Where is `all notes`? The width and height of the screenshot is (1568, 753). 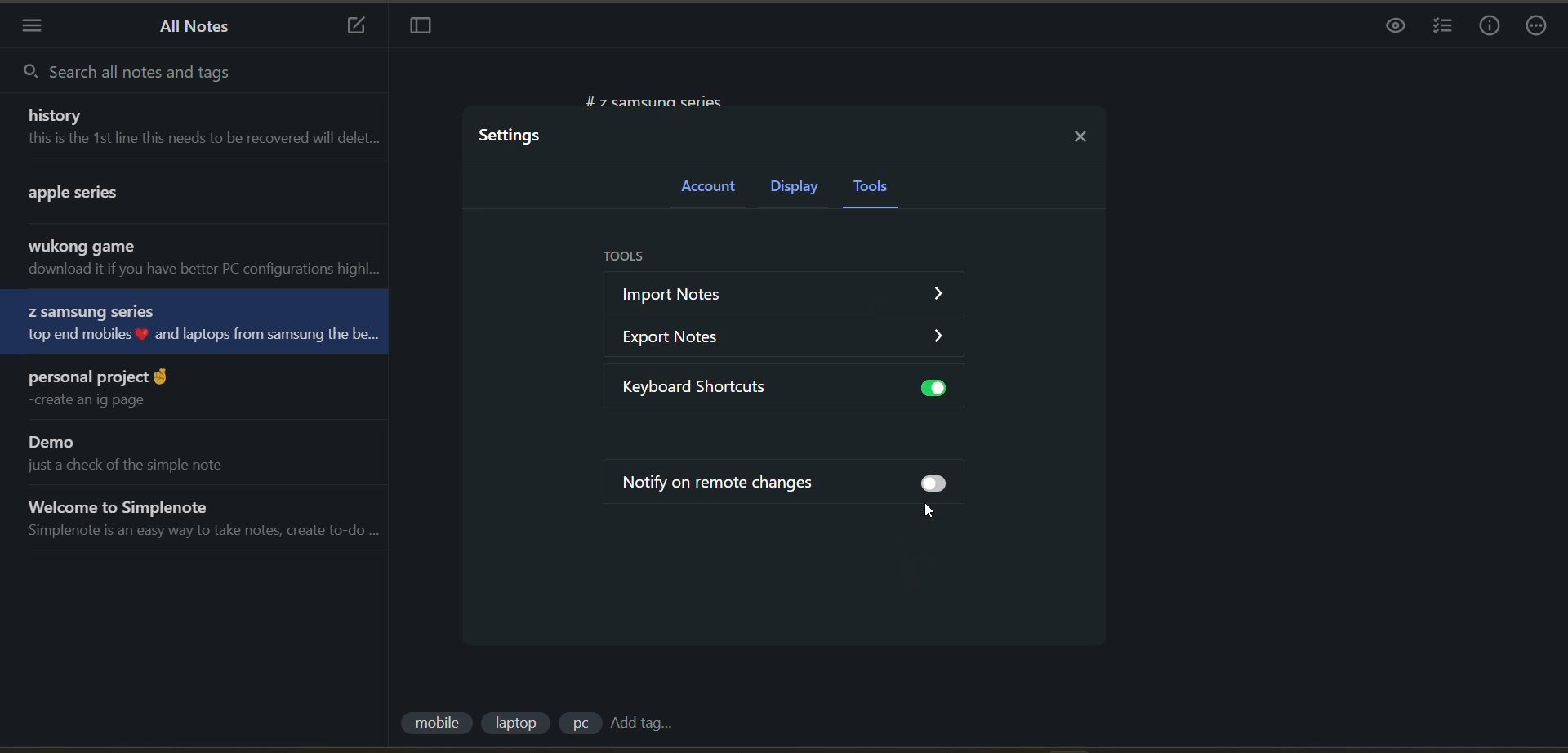
all notes is located at coordinates (203, 27).